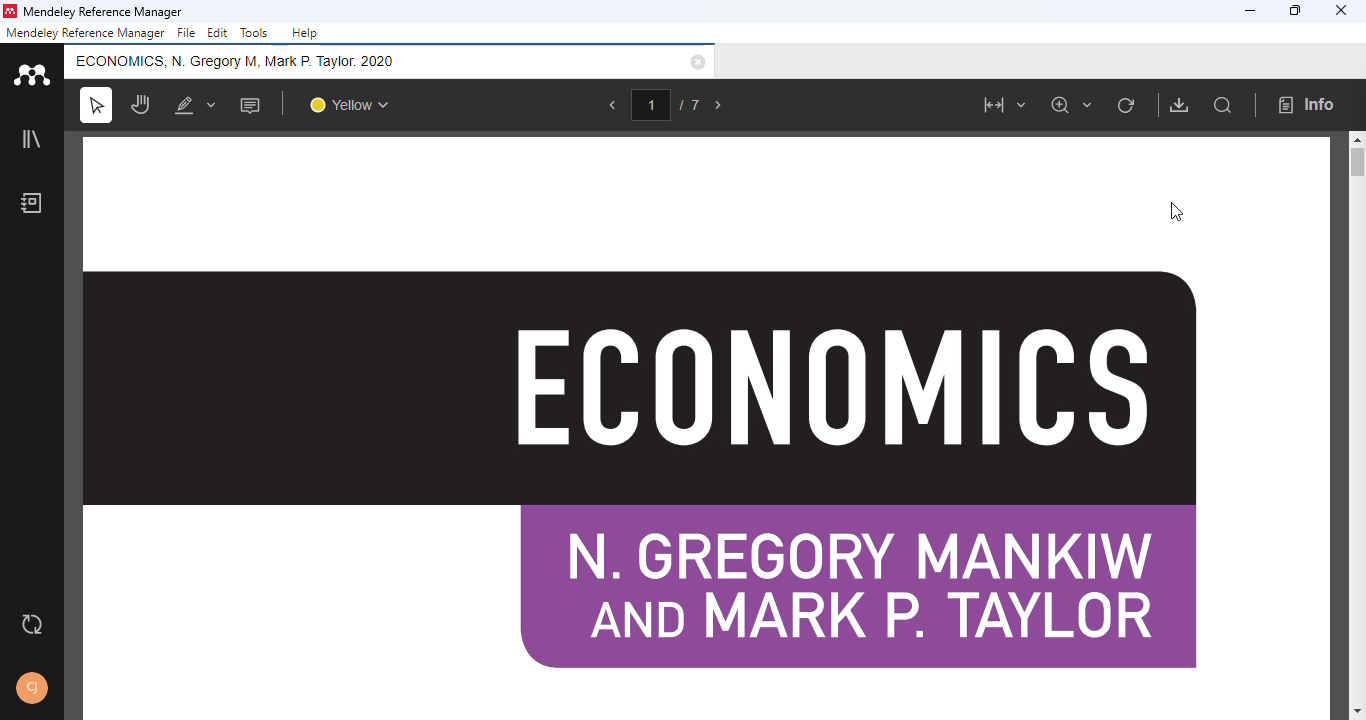 This screenshot has width=1366, height=720. Describe the element at coordinates (238, 60) in the screenshot. I see `ECONOMICS, N. Gregory M, Mark P. Taylor. 2020` at that location.